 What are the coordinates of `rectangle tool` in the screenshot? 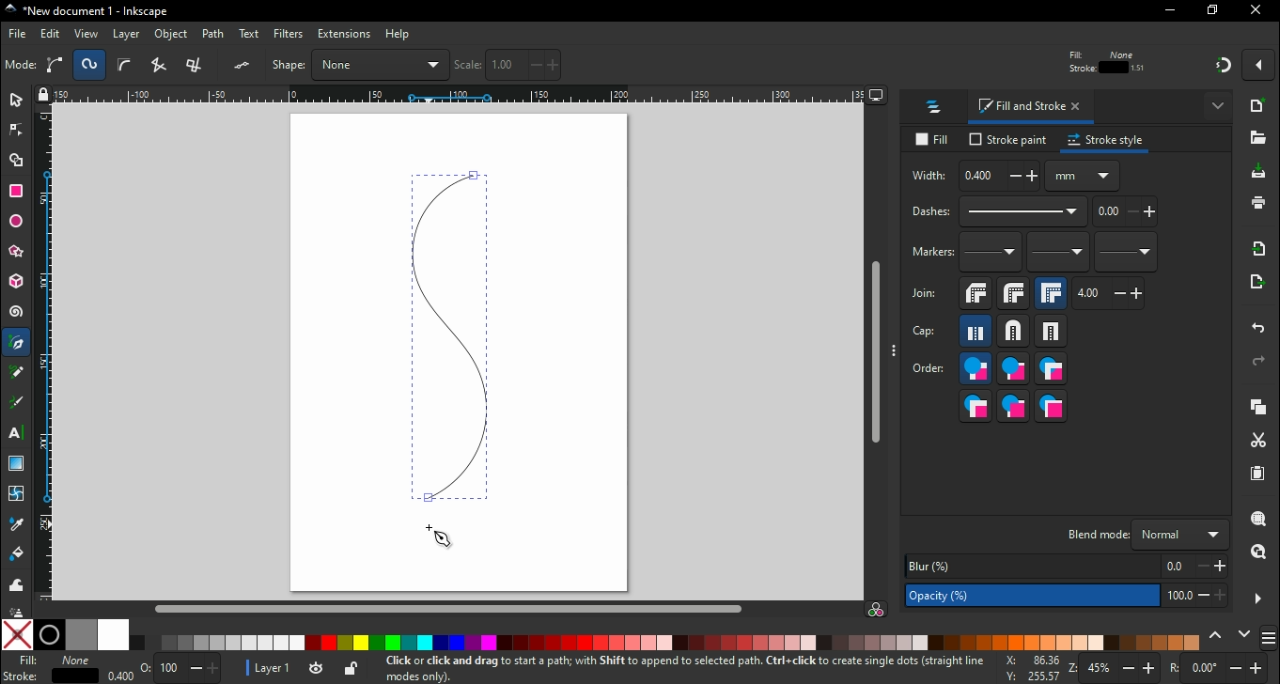 It's located at (18, 191).